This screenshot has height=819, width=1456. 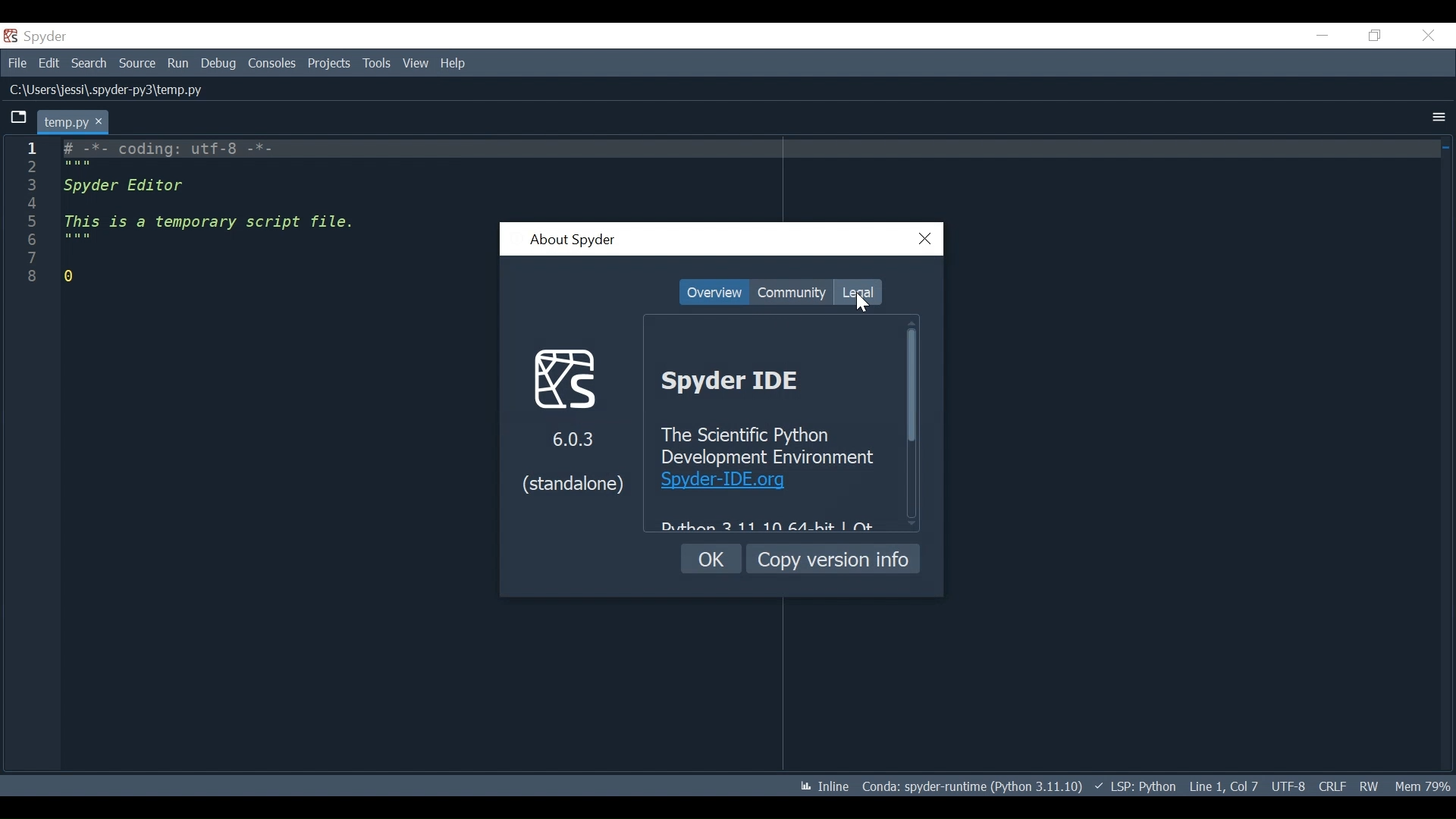 I want to click on CRLF, so click(x=1332, y=786).